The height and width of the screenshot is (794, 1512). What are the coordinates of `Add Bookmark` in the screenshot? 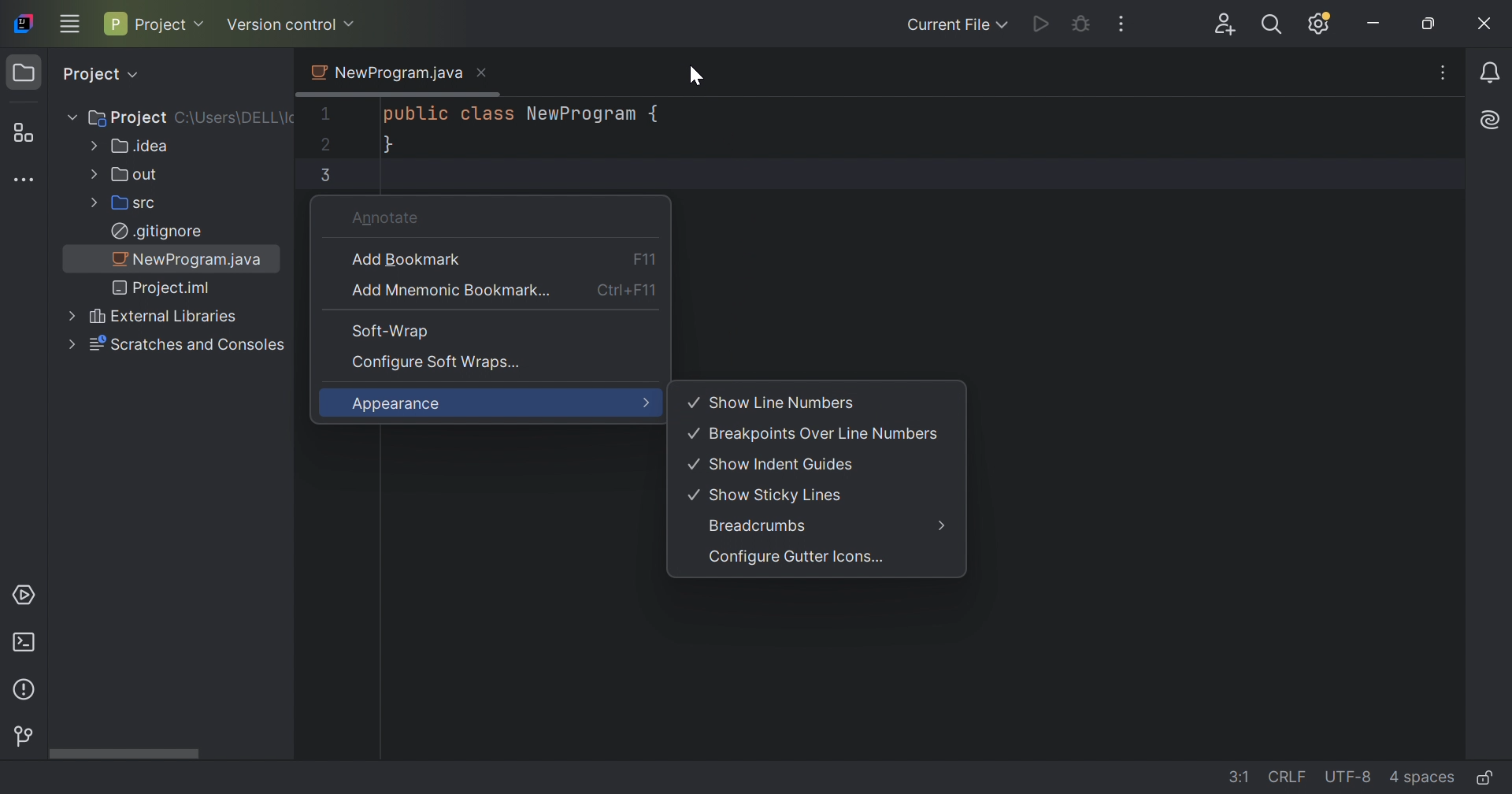 It's located at (408, 260).